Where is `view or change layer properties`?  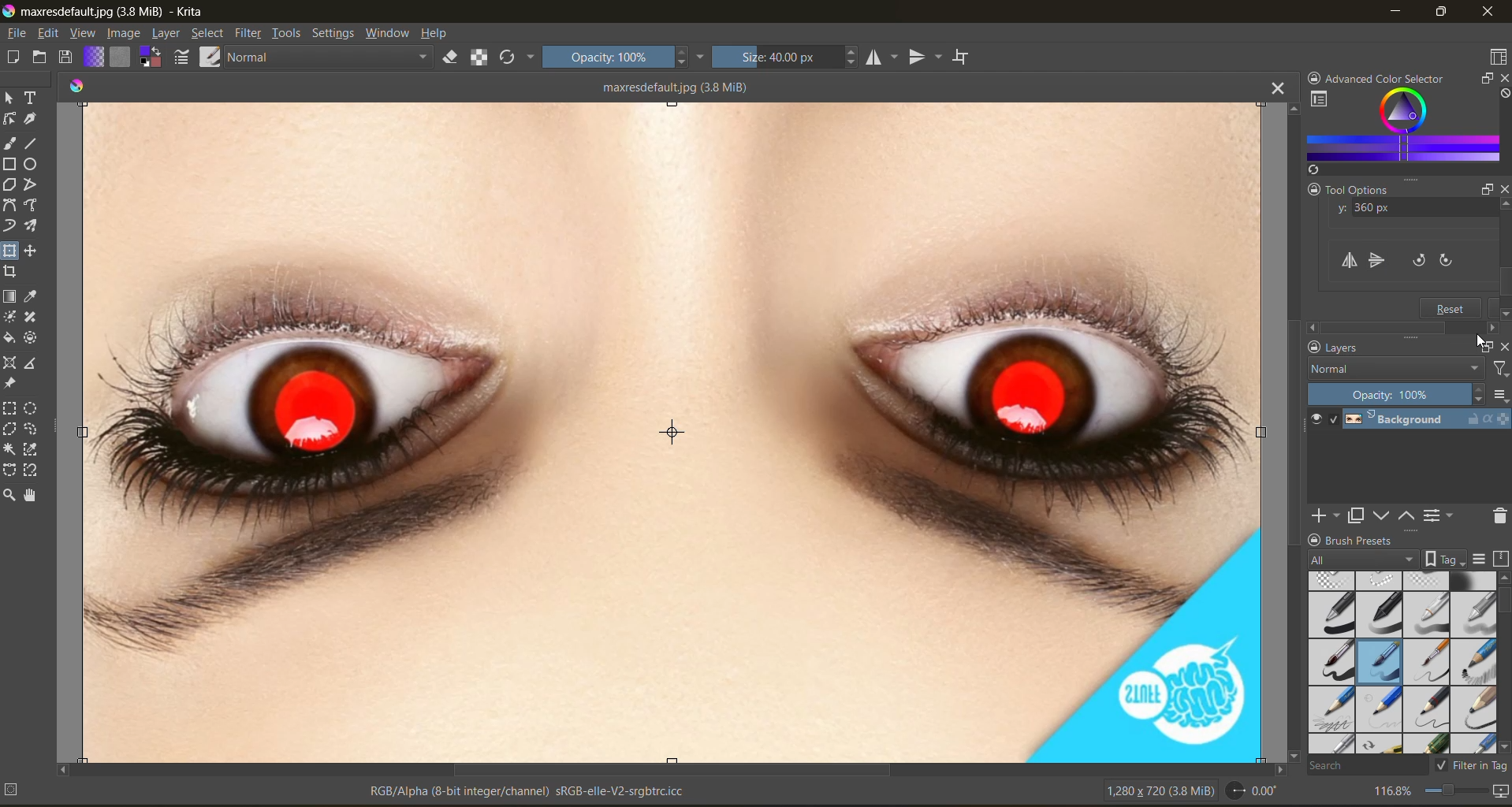
view or change layer properties is located at coordinates (1440, 515).